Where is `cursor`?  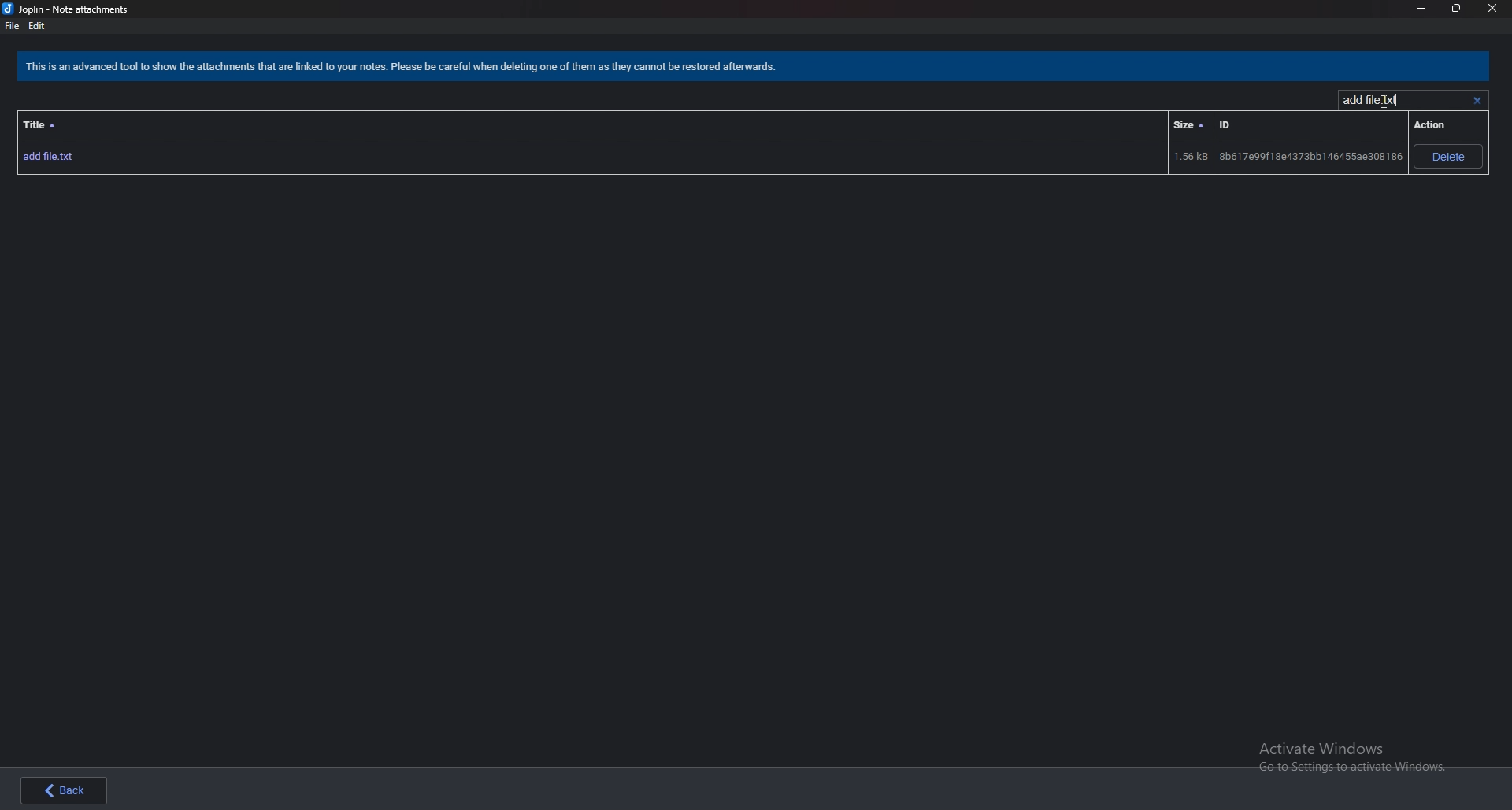
cursor is located at coordinates (1383, 100).